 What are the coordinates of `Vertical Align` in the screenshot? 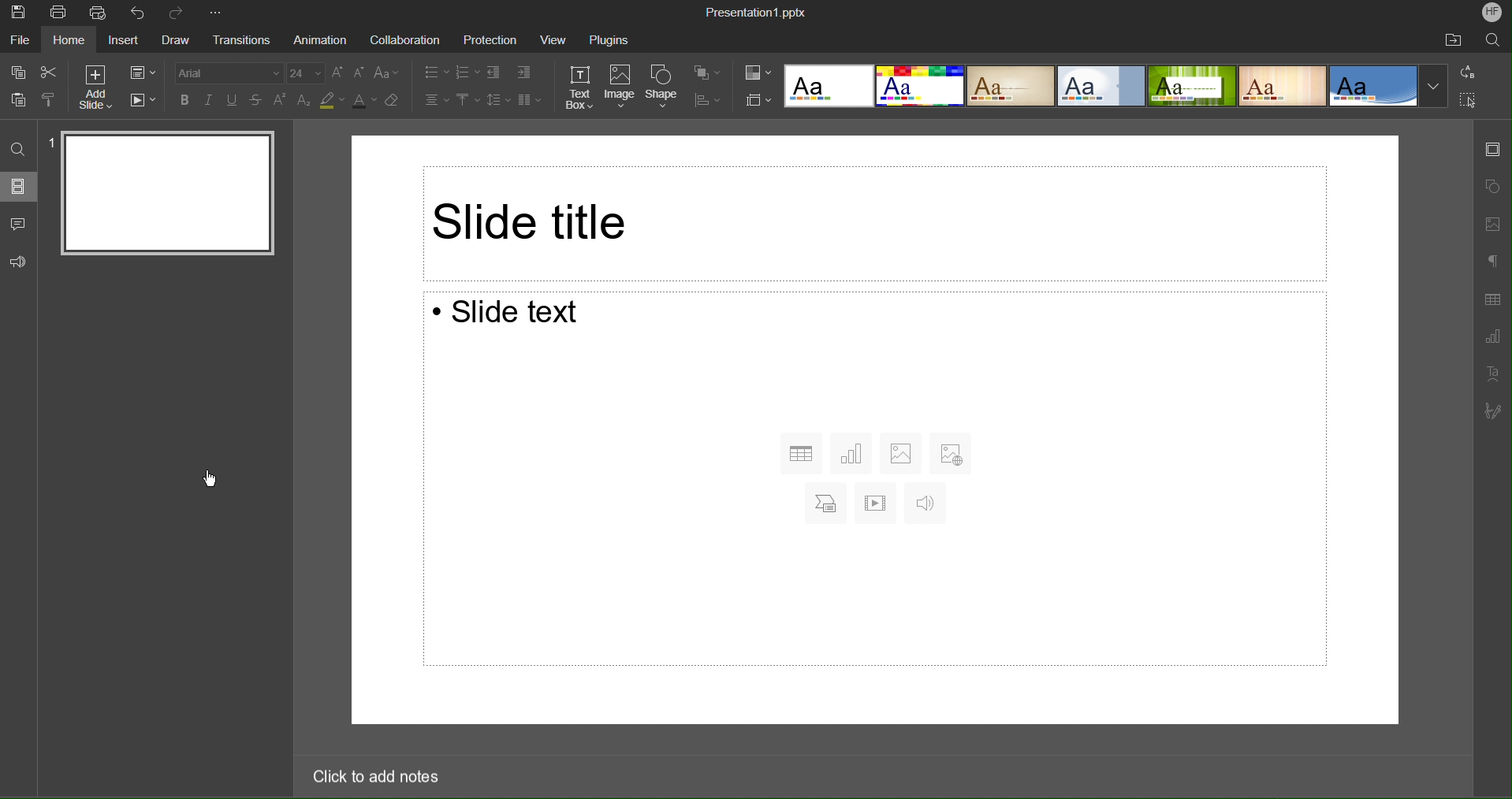 It's located at (467, 98).